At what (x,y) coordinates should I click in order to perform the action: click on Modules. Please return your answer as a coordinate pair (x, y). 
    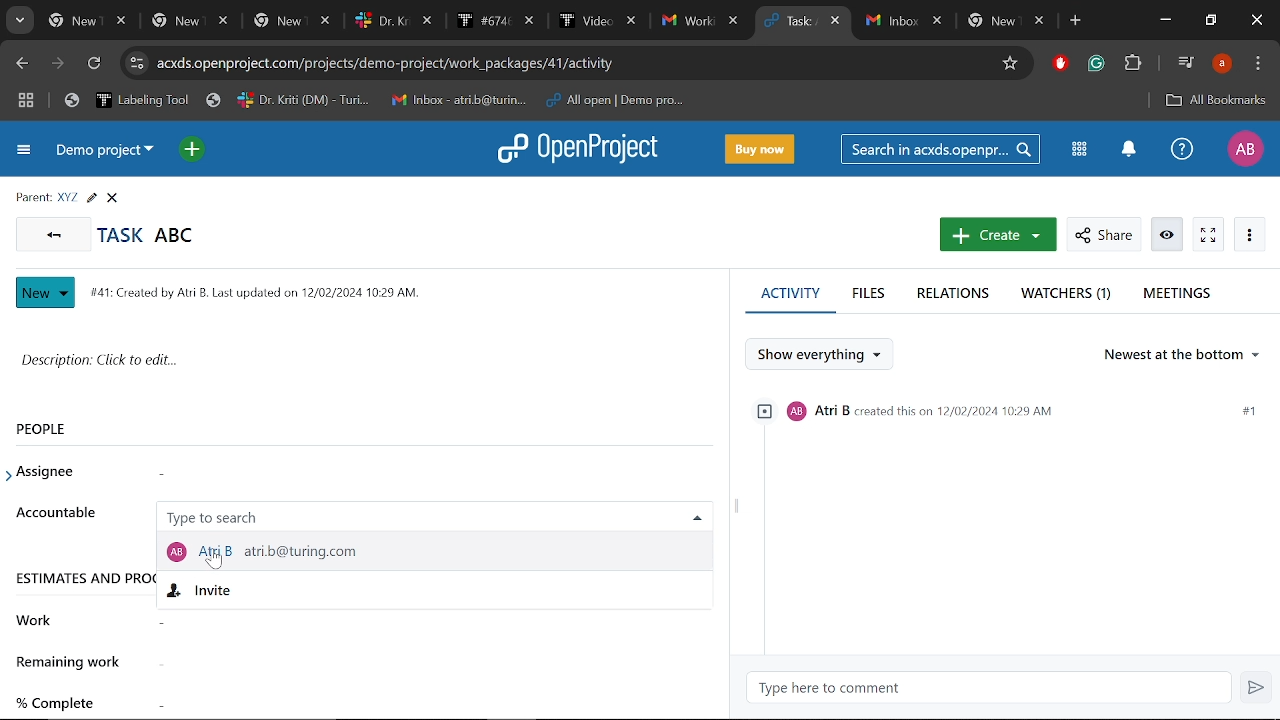
    Looking at the image, I should click on (1081, 151).